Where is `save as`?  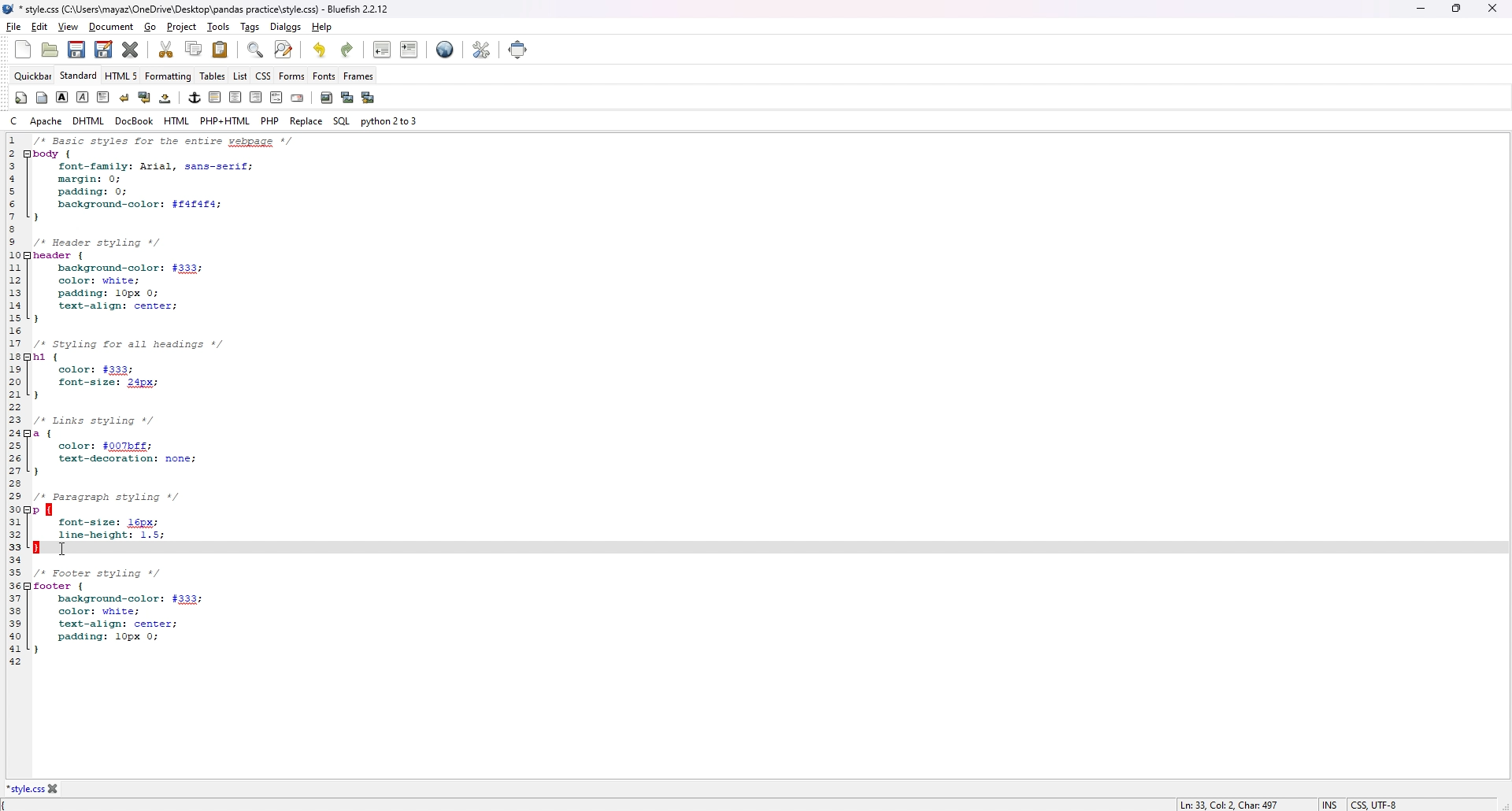 save as is located at coordinates (105, 50).